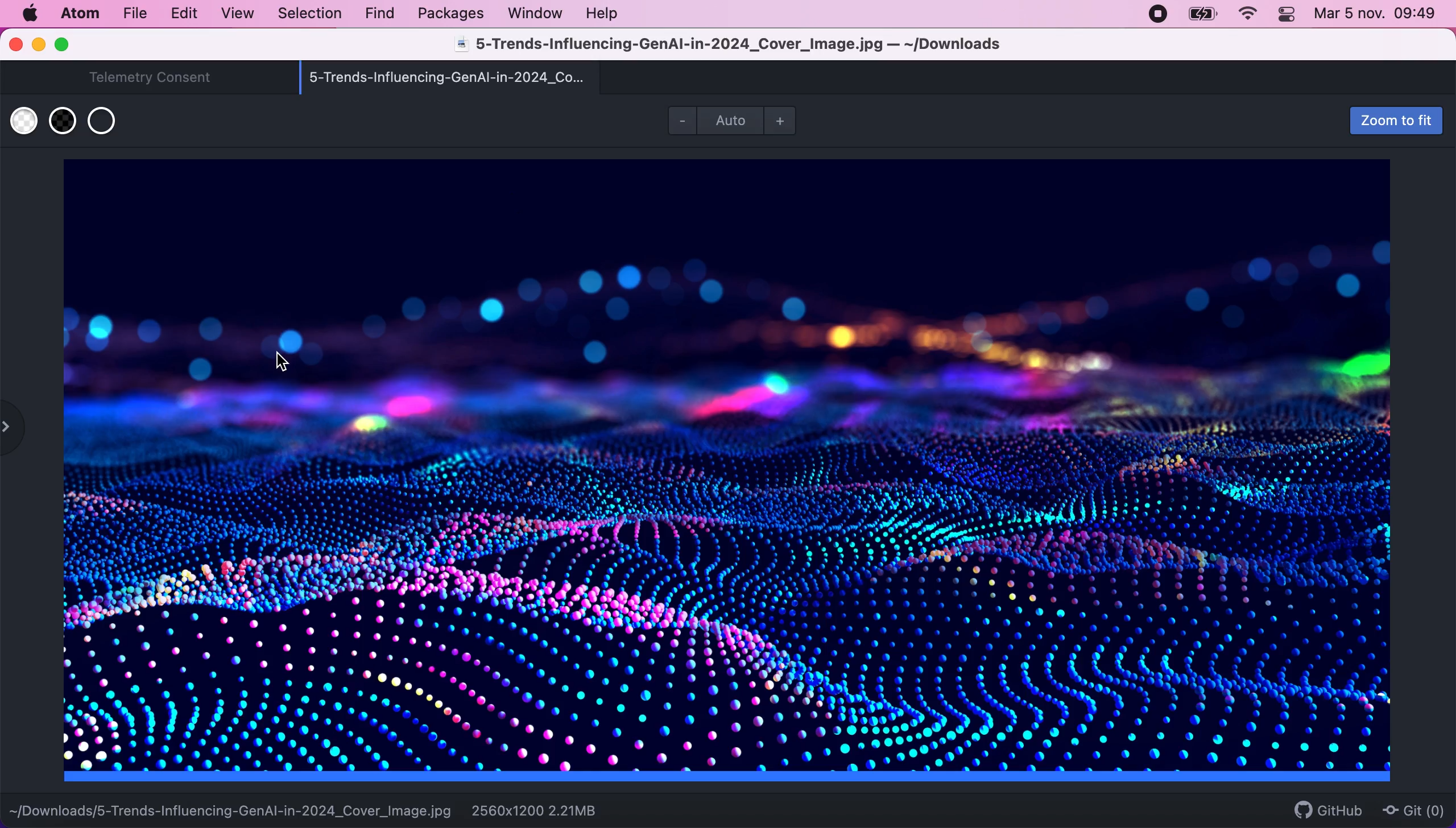  What do you see at coordinates (1362, 808) in the screenshot?
I see `github git (0)` at bounding box center [1362, 808].